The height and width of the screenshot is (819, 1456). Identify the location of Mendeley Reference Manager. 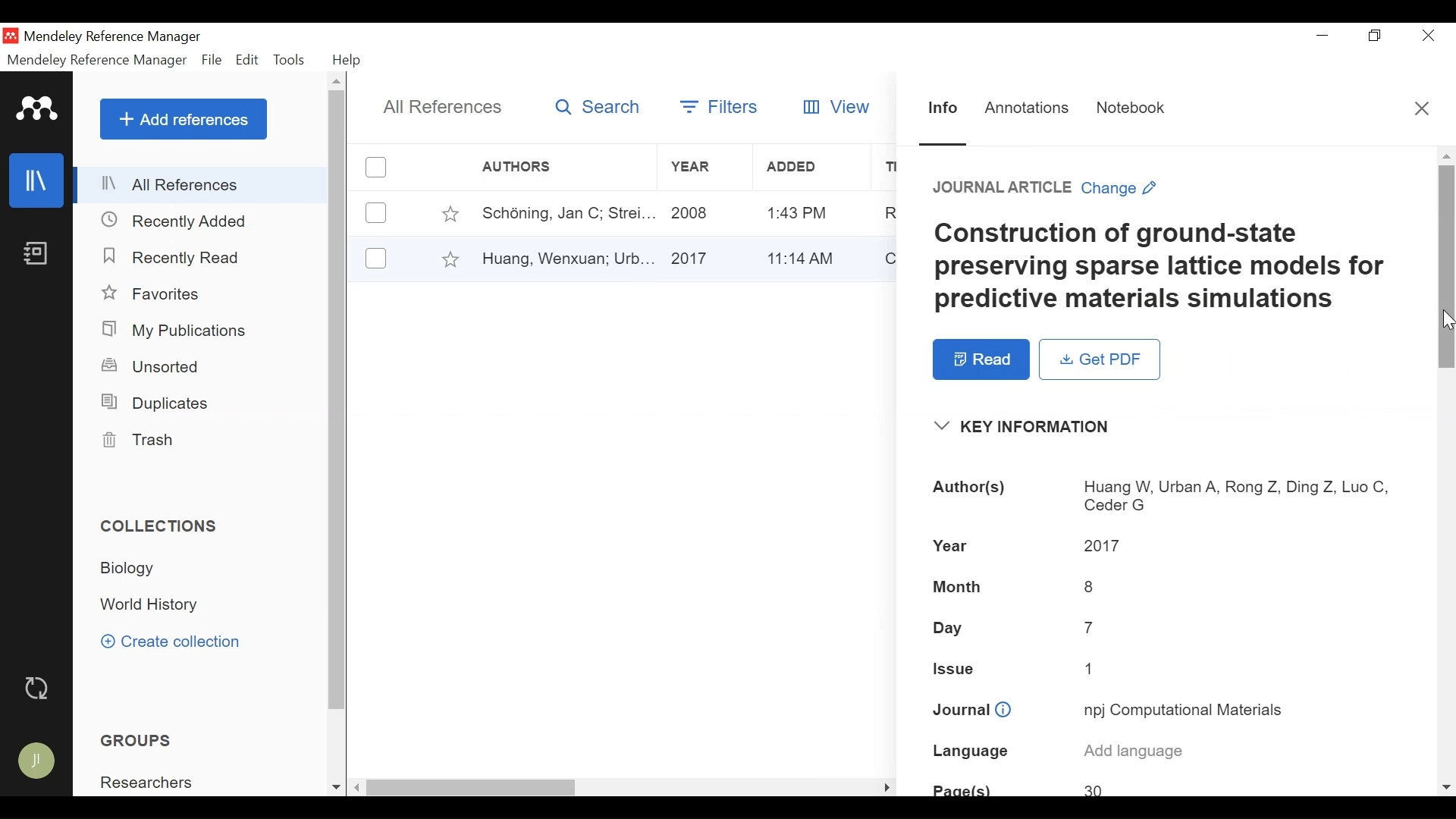
(116, 36).